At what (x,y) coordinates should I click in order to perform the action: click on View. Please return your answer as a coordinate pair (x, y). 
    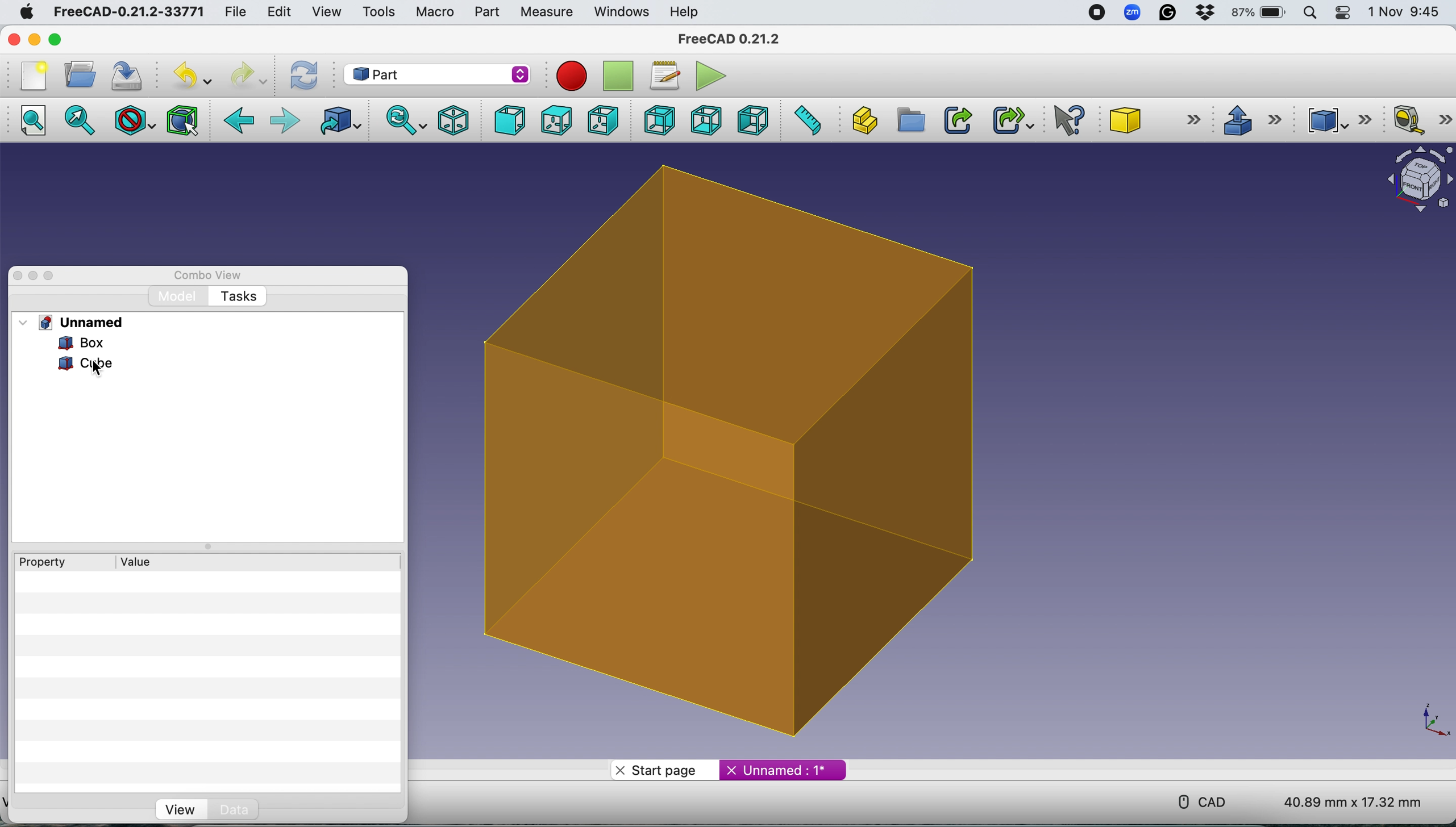
    Looking at the image, I should click on (326, 12).